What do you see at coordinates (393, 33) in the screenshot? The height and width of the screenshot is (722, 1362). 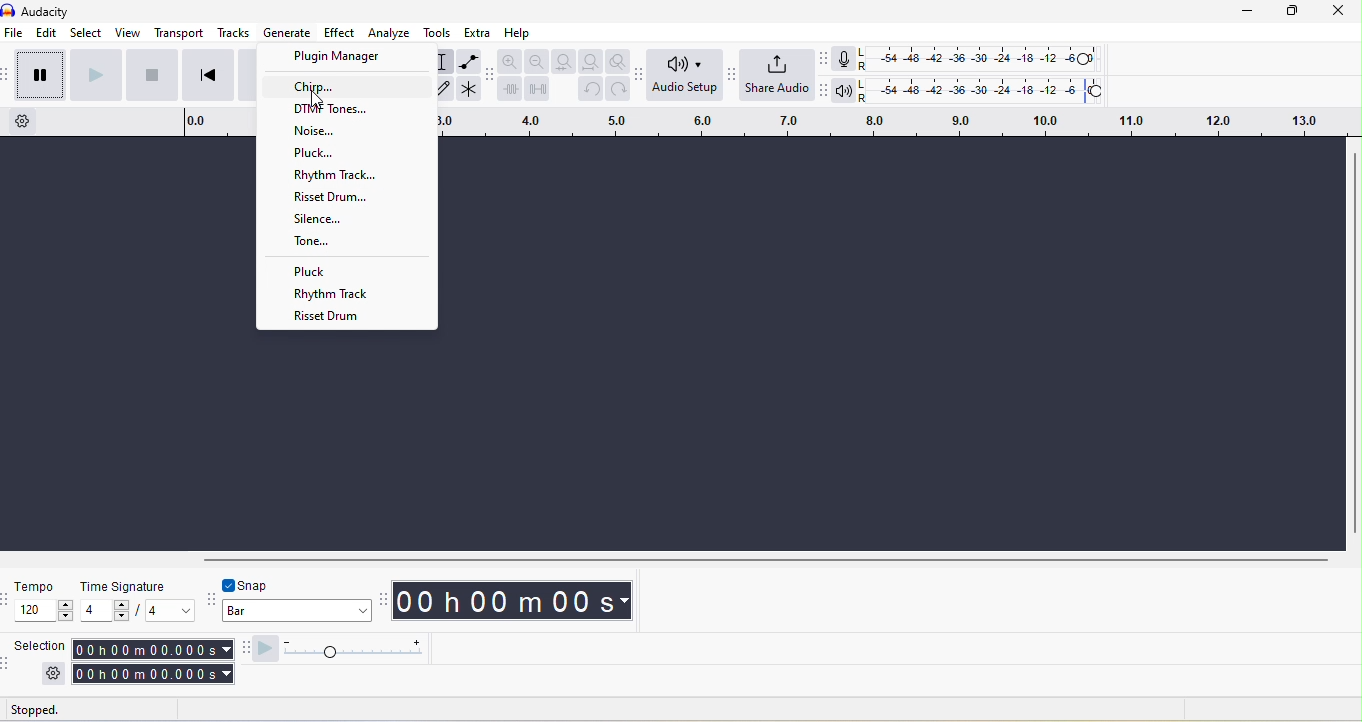 I see `analyze` at bounding box center [393, 33].